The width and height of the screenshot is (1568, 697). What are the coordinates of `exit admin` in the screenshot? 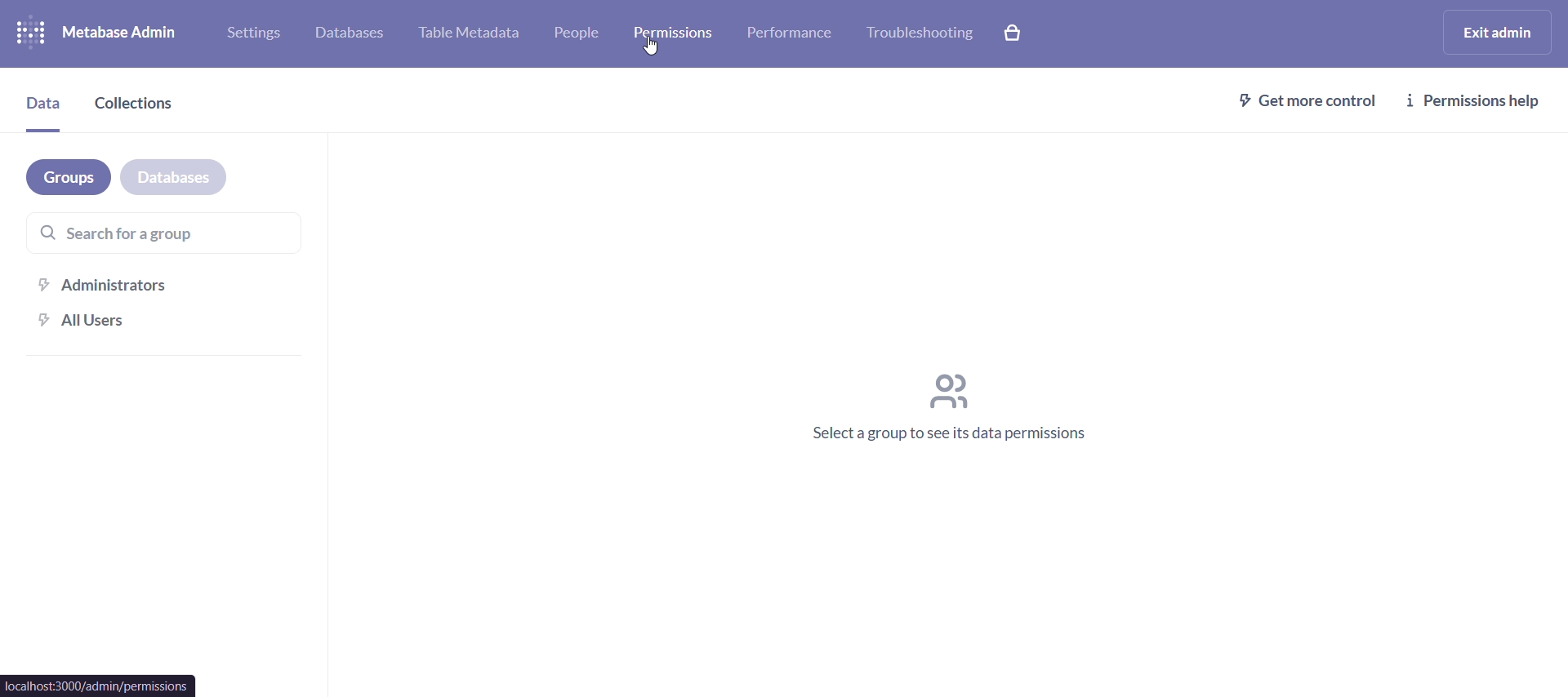 It's located at (1496, 31).